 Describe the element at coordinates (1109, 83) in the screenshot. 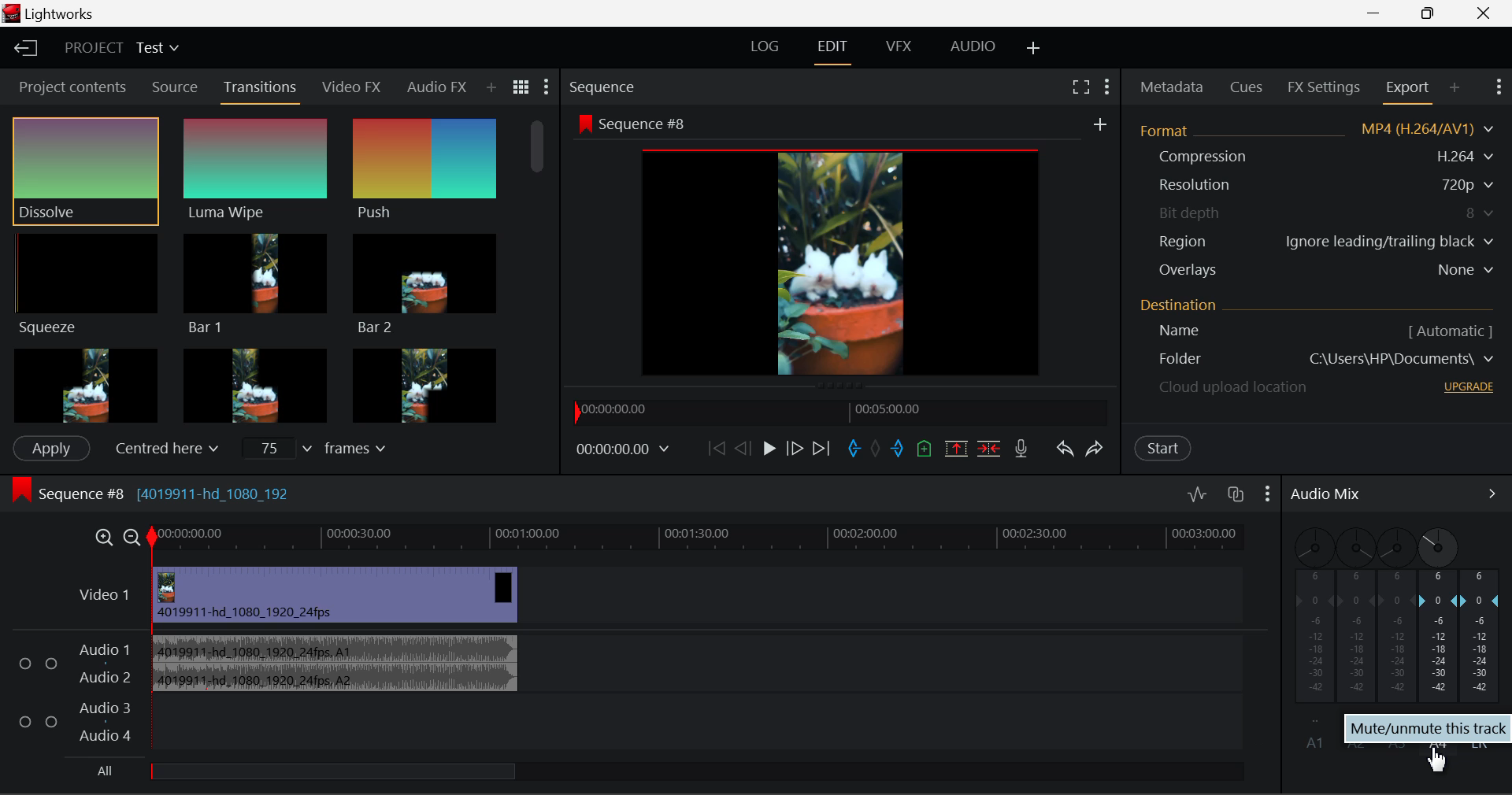

I see `Show Settings` at that location.